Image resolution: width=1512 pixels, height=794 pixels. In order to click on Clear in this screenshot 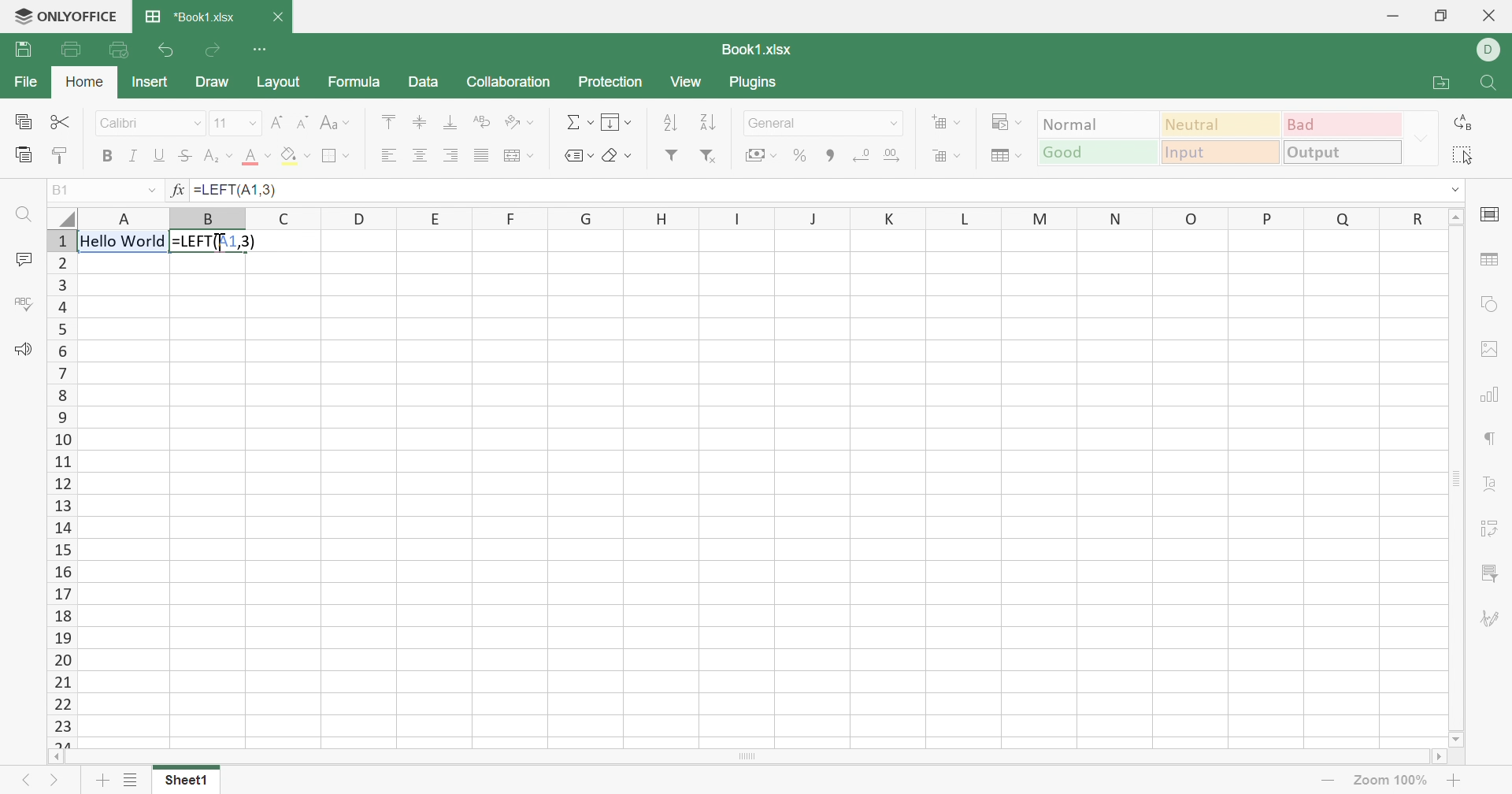, I will do `click(620, 155)`.